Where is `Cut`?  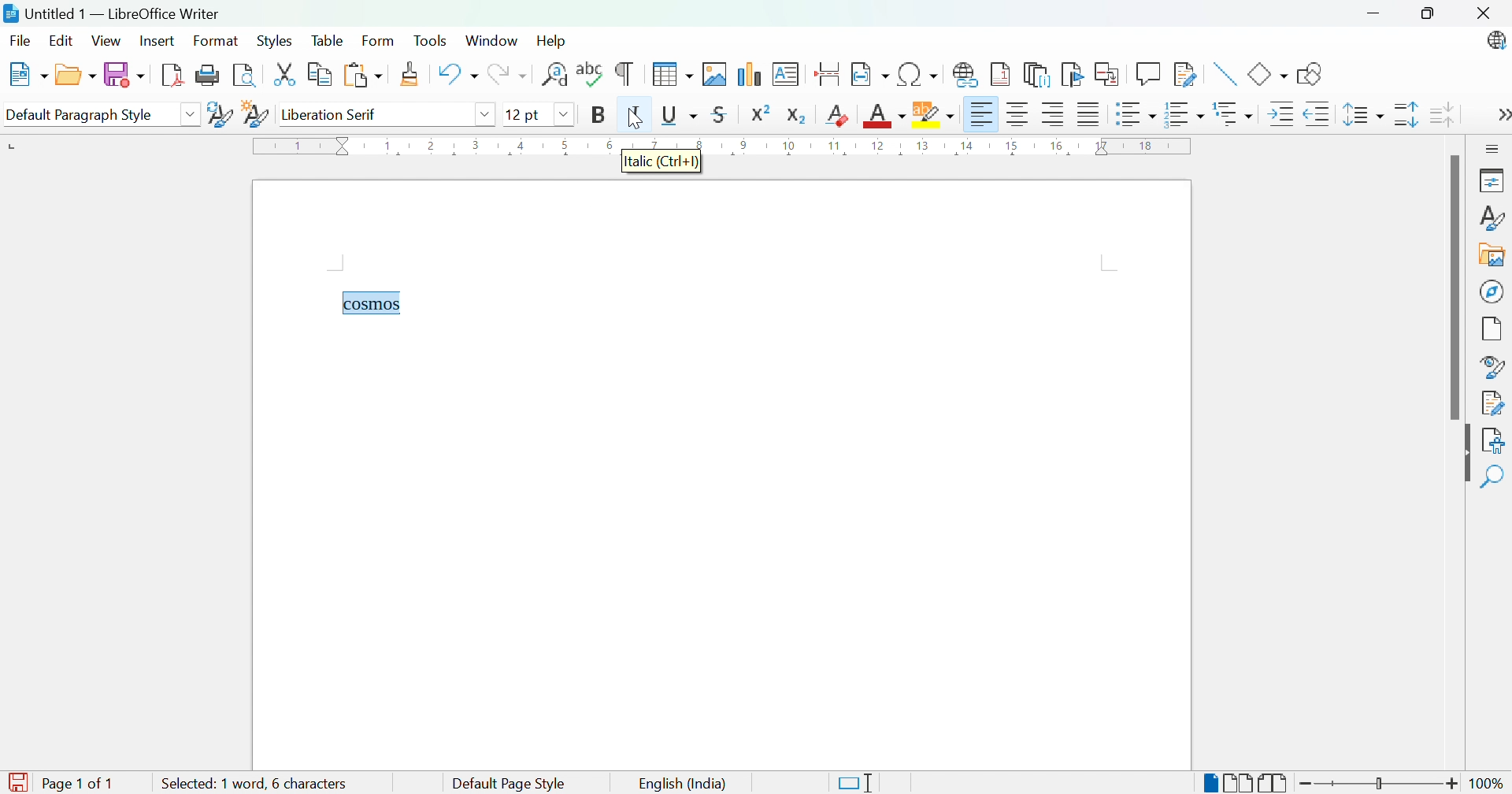 Cut is located at coordinates (288, 76).